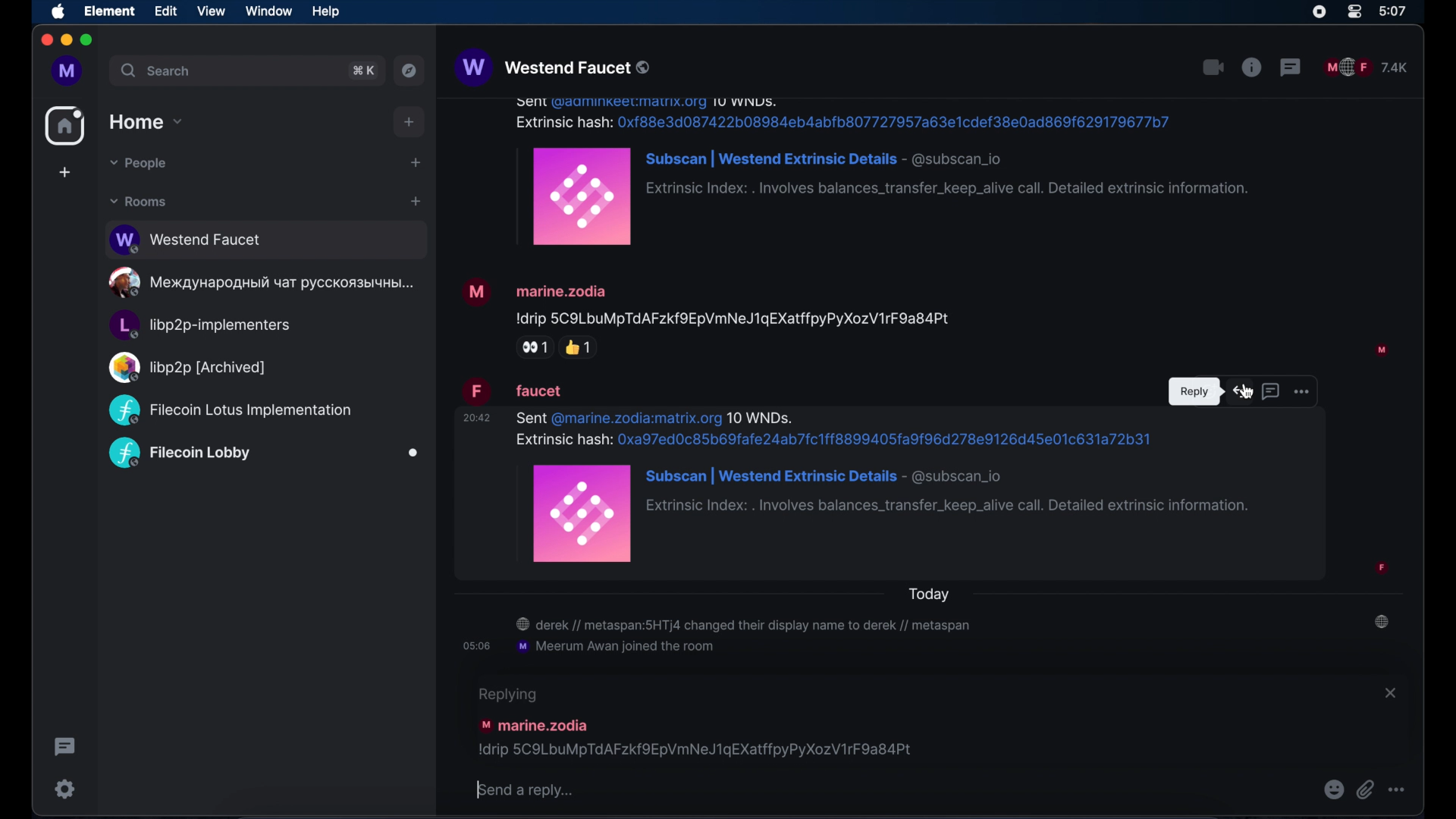 This screenshot has width=1456, height=819. Describe the element at coordinates (264, 283) in the screenshot. I see `public room` at that location.